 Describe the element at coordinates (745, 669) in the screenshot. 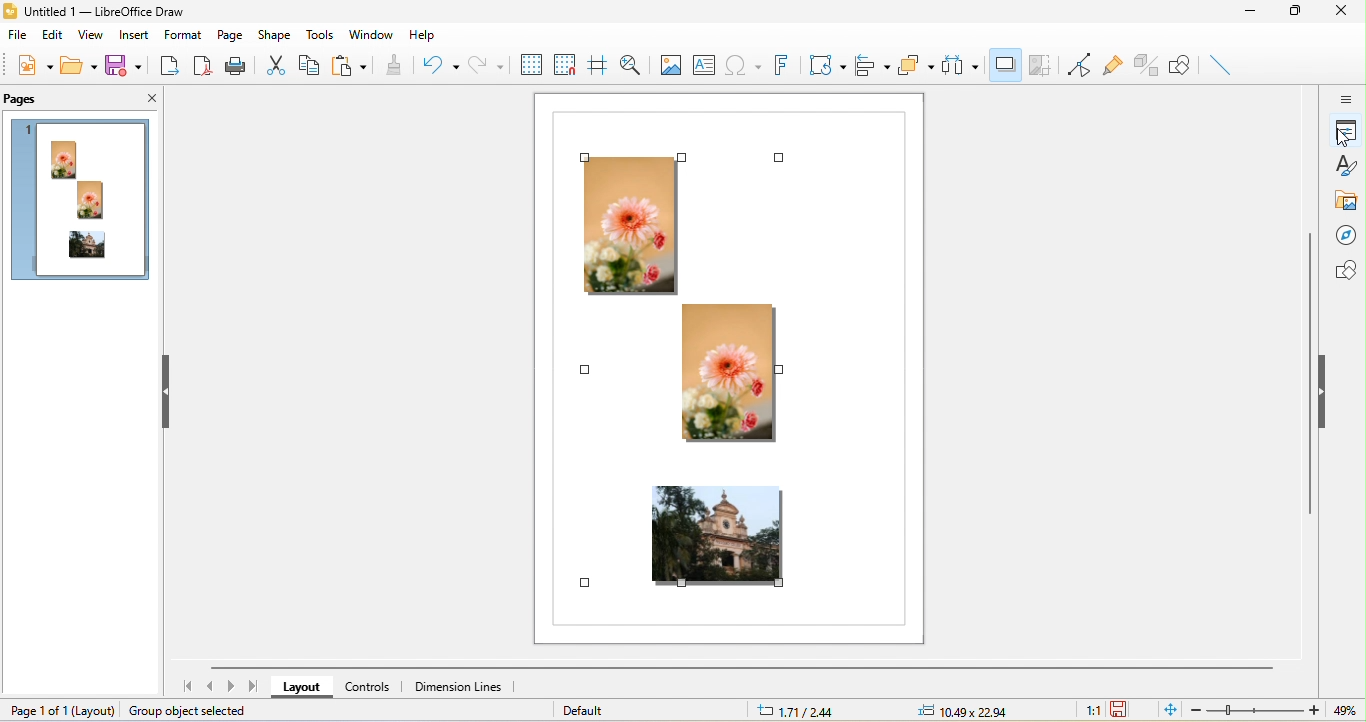

I see `horizontal scroll bar` at that location.